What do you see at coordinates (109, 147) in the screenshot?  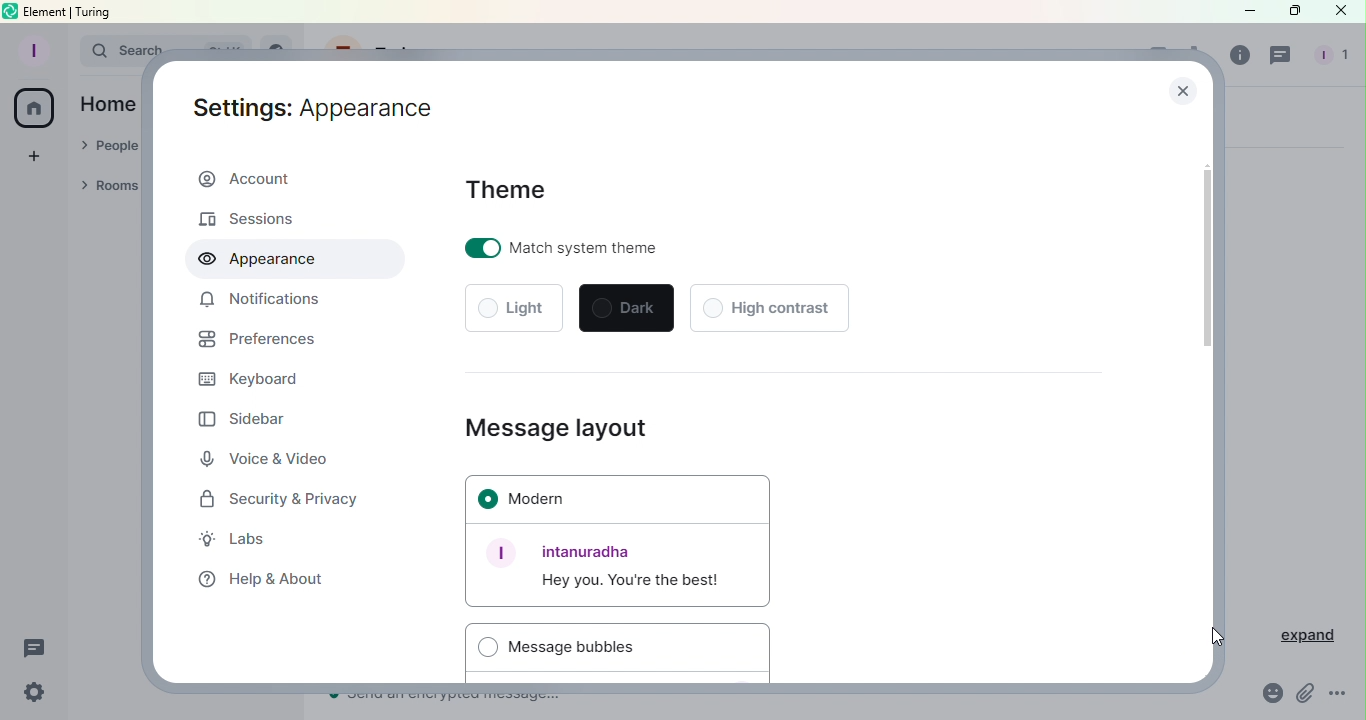 I see `People` at bounding box center [109, 147].